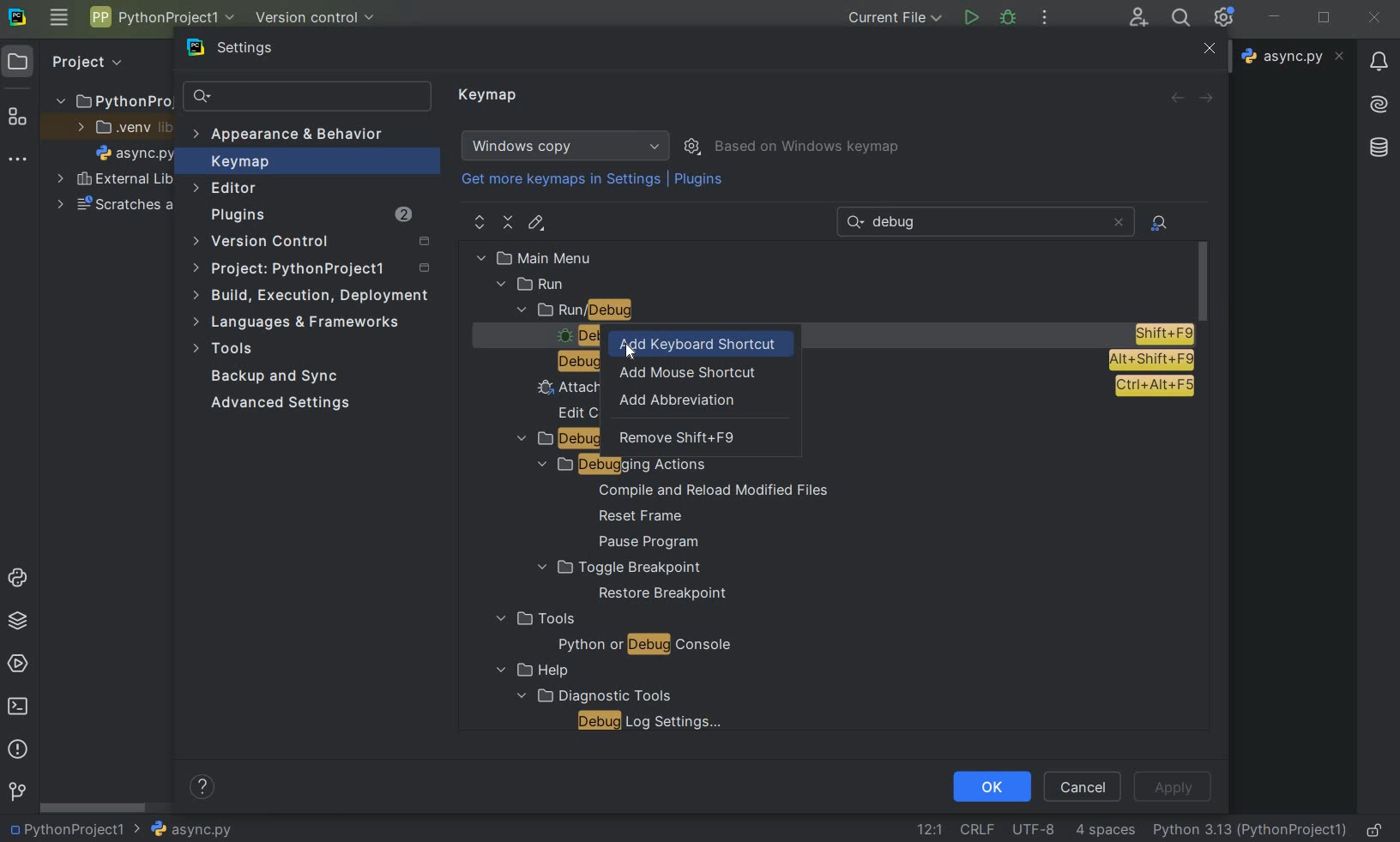  Describe the element at coordinates (1381, 145) in the screenshot. I see `database` at that location.